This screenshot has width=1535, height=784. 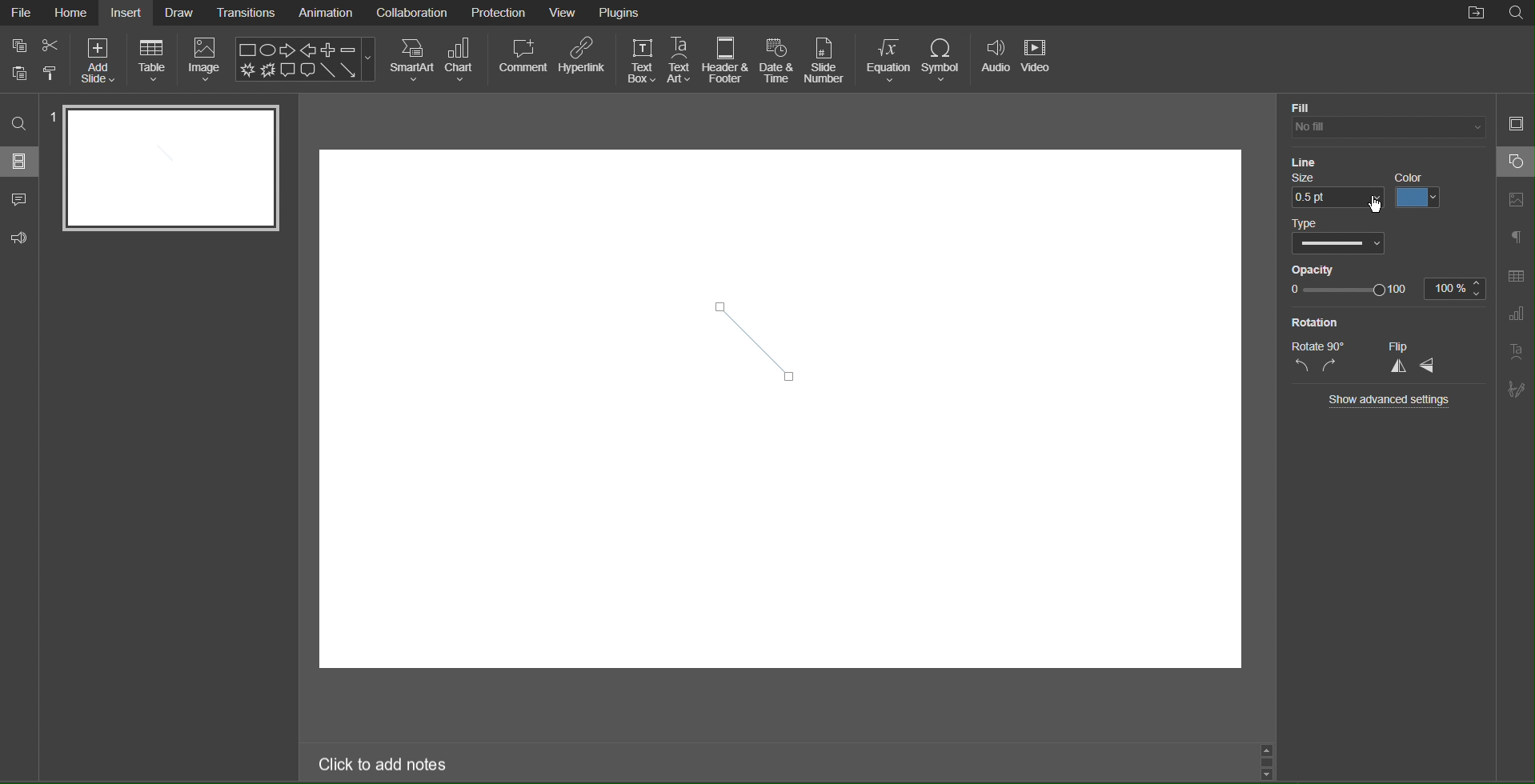 I want to click on Rotate CW, so click(x=1331, y=366).